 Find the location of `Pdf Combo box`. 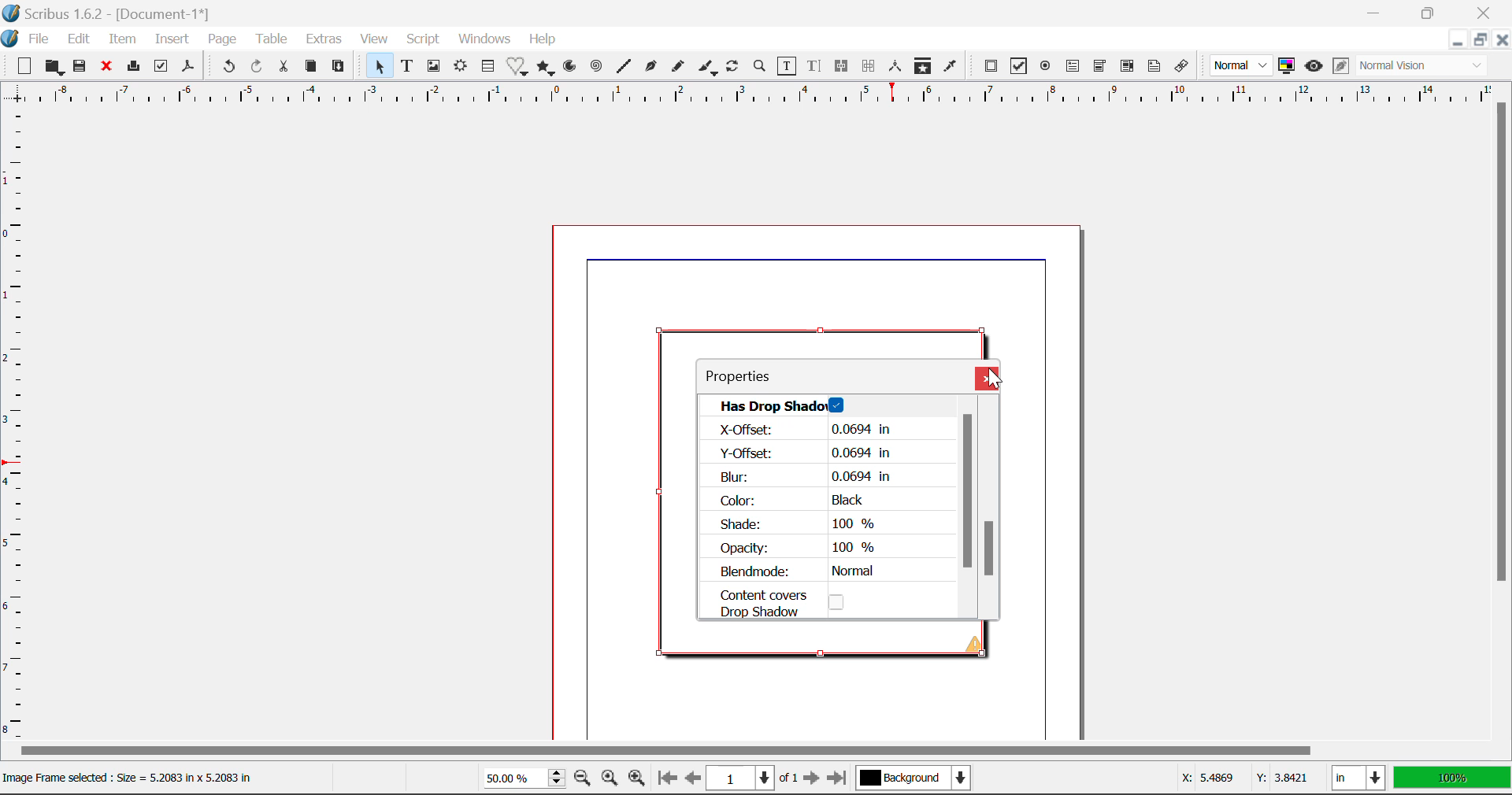

Pdf Combo box is located at coordinates (1100, 68).